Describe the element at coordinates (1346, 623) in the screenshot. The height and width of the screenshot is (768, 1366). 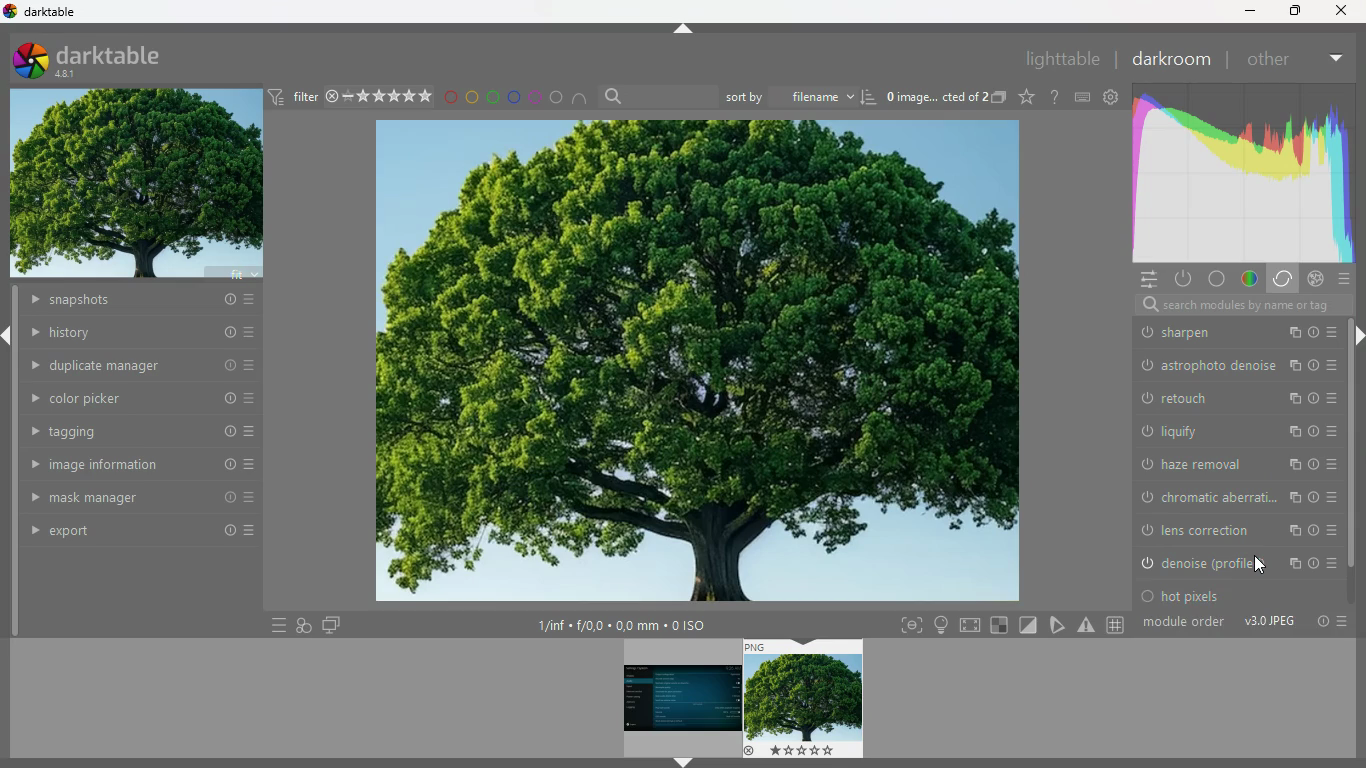
I see `more` at that location.